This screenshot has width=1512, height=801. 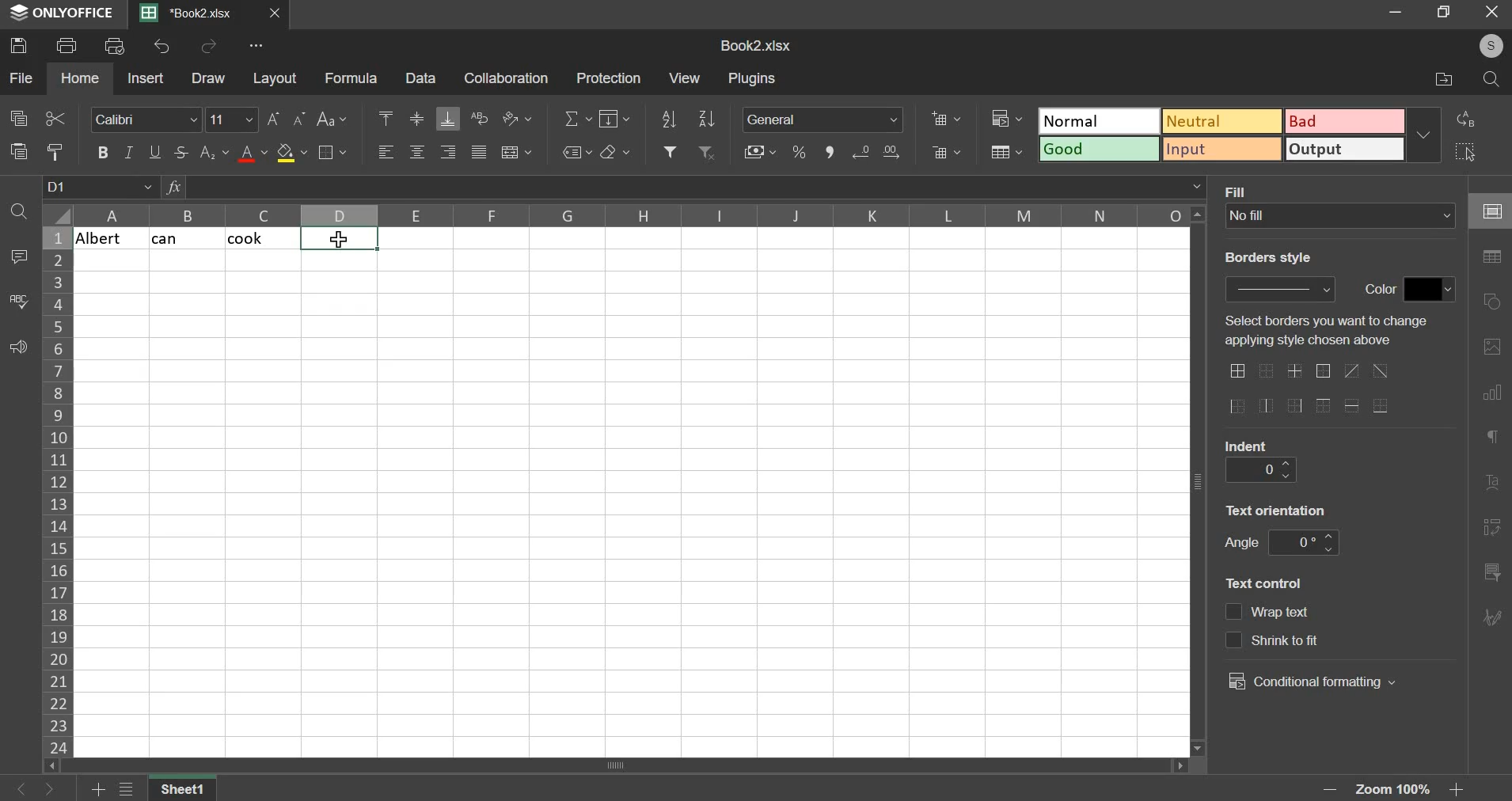 I want to click on indent, so click(x=1261, y=469).